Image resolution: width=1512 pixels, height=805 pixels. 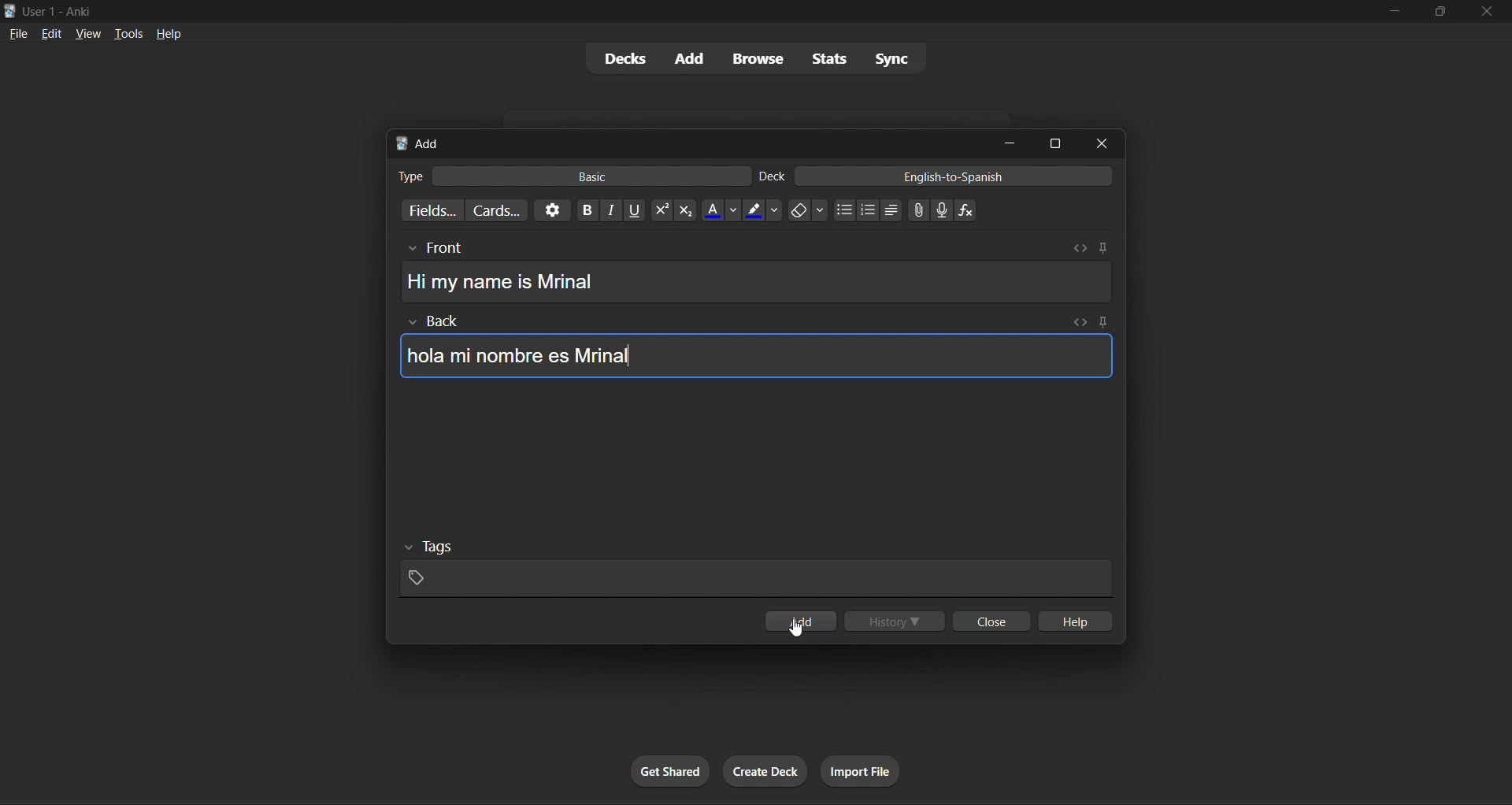 I want to click on card tags text box, so click(x=754, y=568).